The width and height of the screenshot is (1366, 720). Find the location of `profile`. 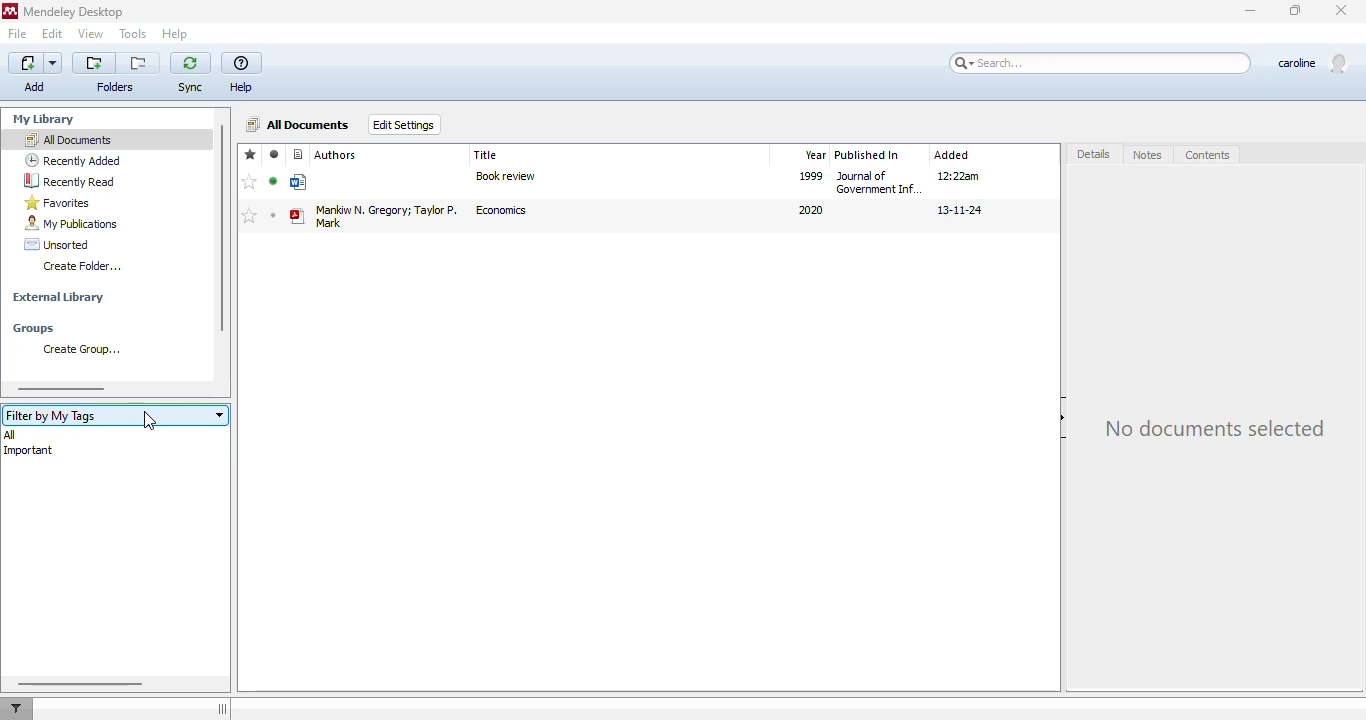

profile is located at coordinates (1314, 63).